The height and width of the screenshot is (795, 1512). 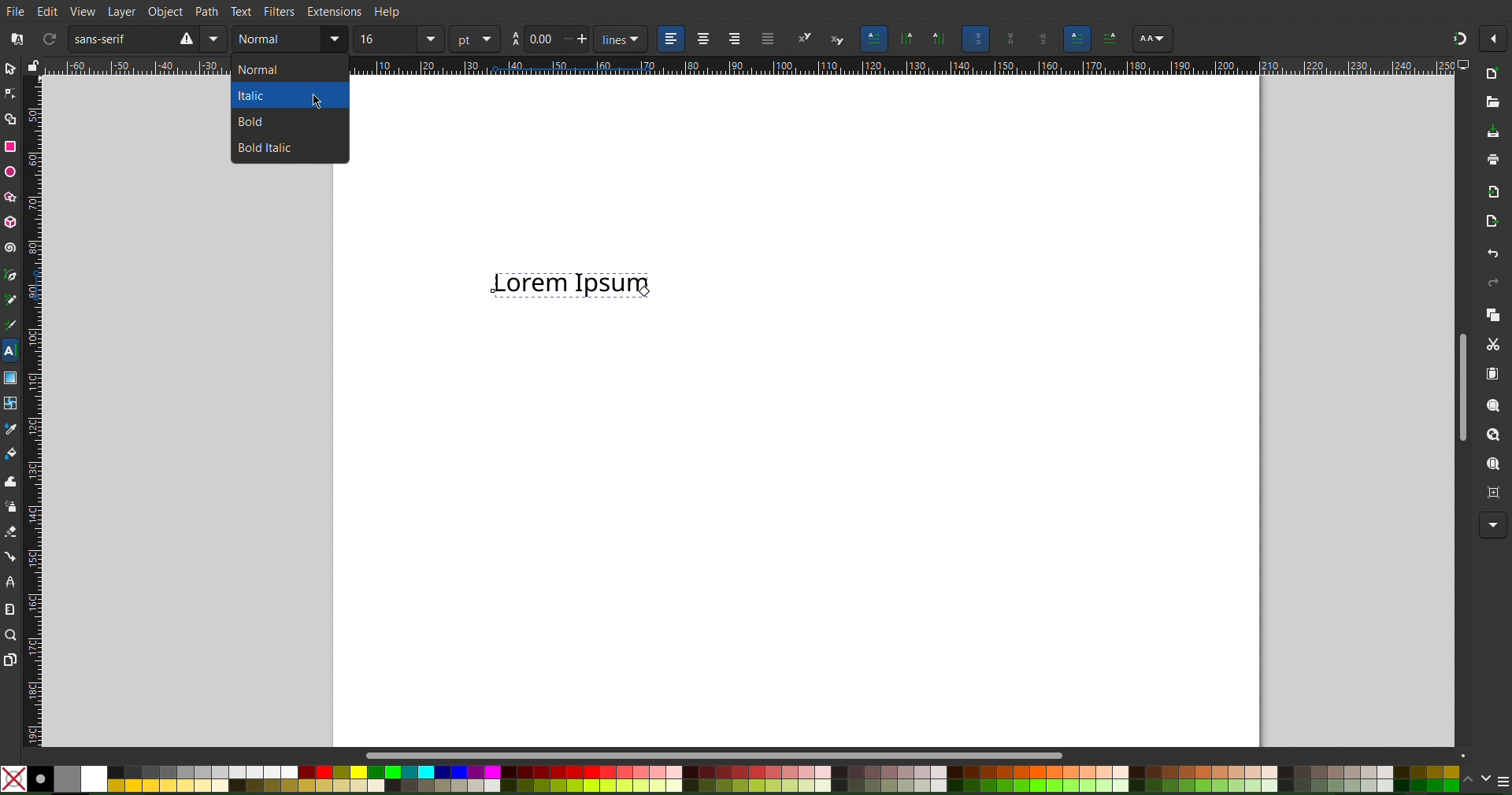 What do you see at coordinates (834, 38) in the screenshot?
I see `subscript` at bounding box center [834, 38].